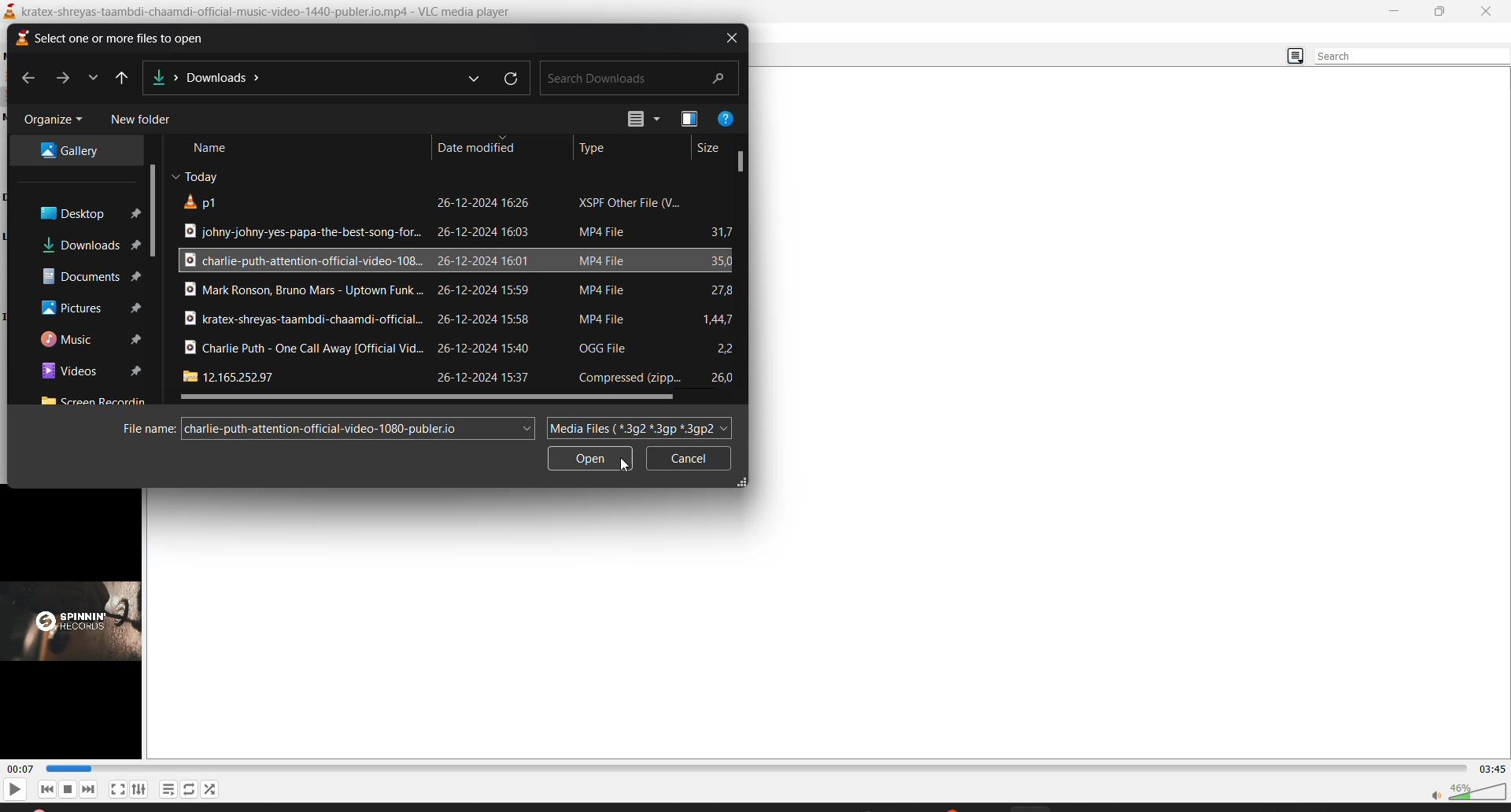  What do you see at coordinates (301, 319) in the screenshot?
I see `file title` at bounding box center [301, 319].